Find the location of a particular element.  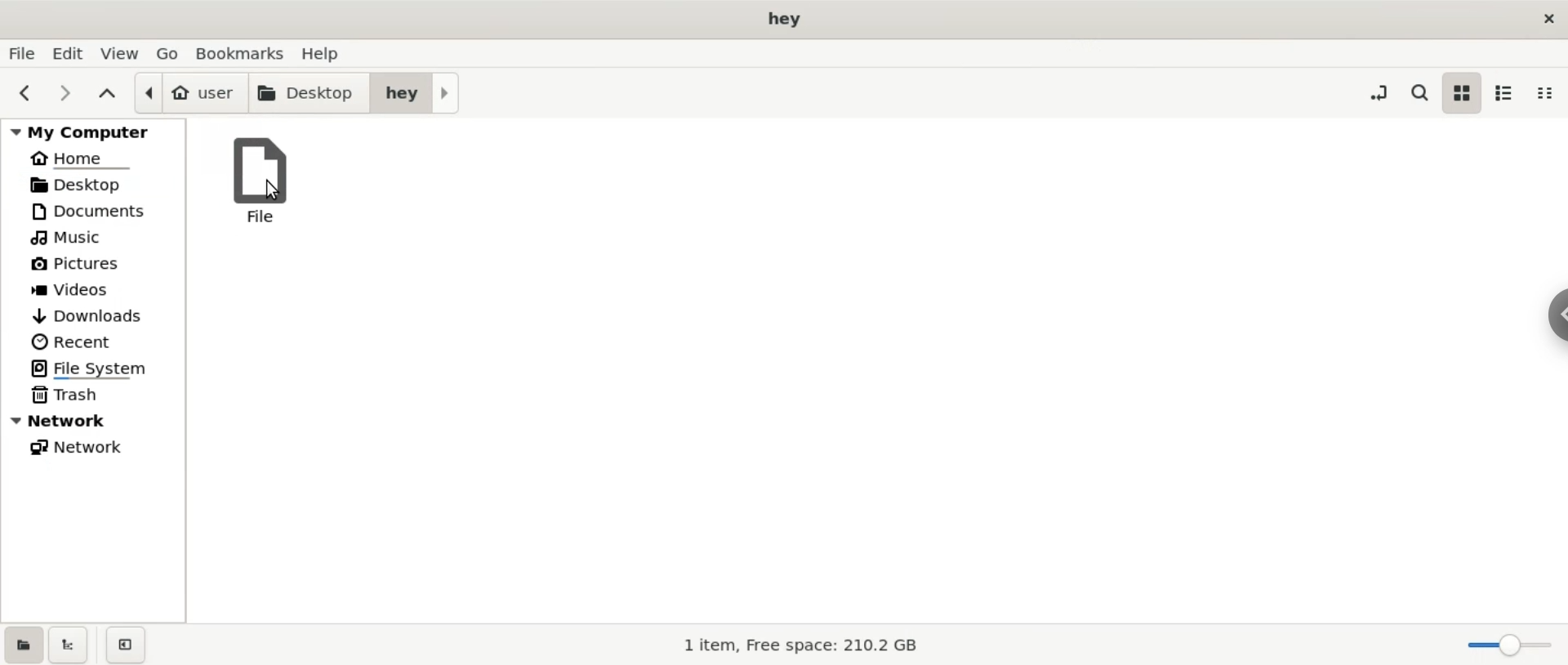

close is located at coordinates (1548, 16).